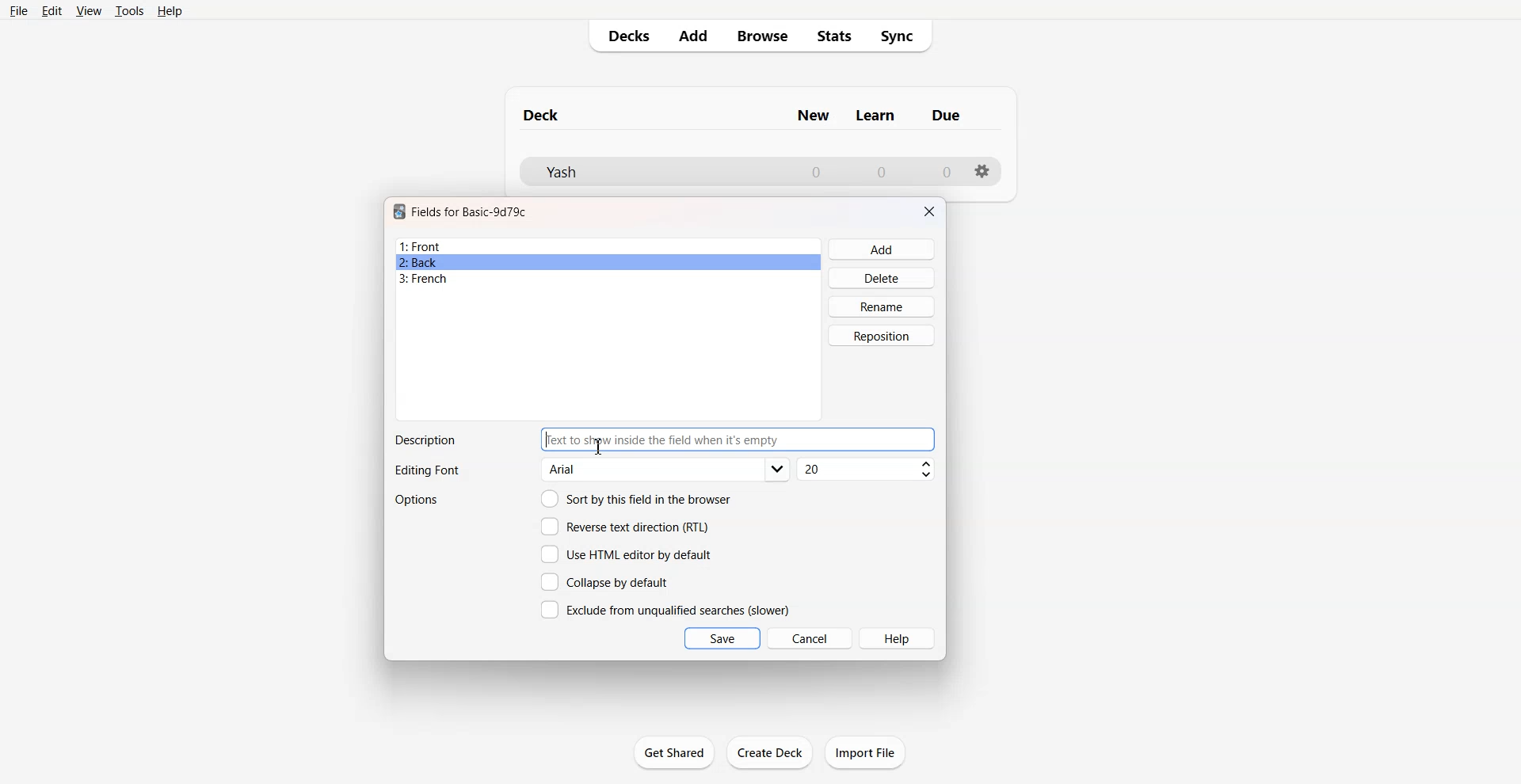  I want to click on Back, so click(608, 262).